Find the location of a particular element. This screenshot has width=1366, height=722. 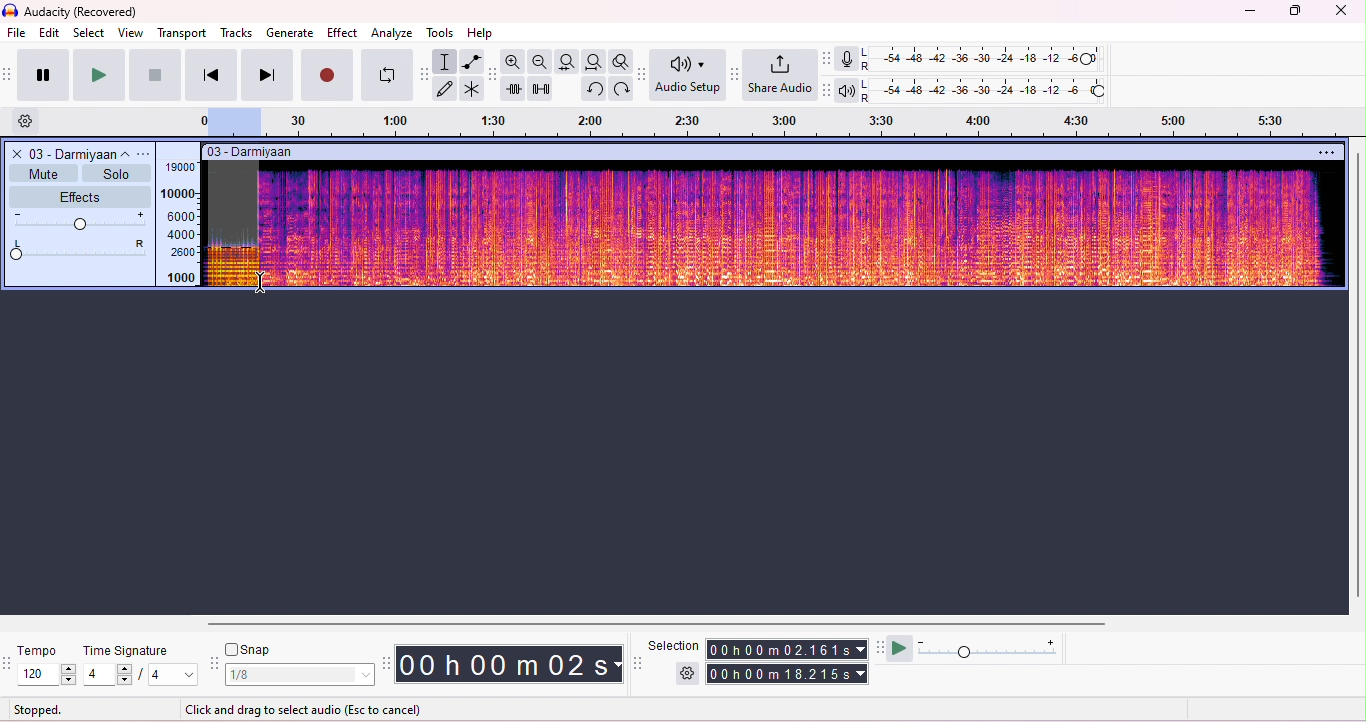

zoom out is located at coordinates (539, 60).